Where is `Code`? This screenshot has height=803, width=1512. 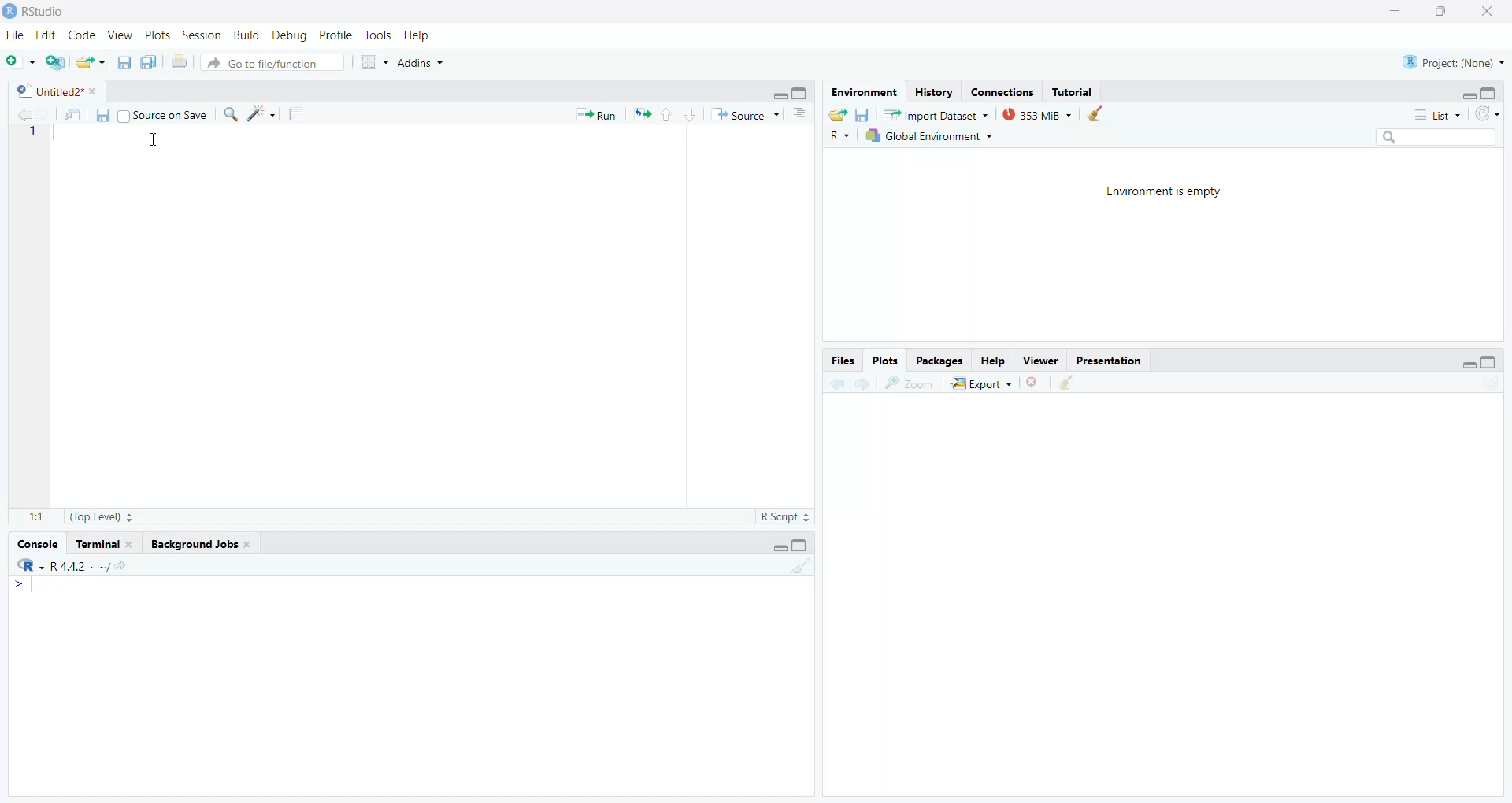 Code is located at coordinates (80, 36).